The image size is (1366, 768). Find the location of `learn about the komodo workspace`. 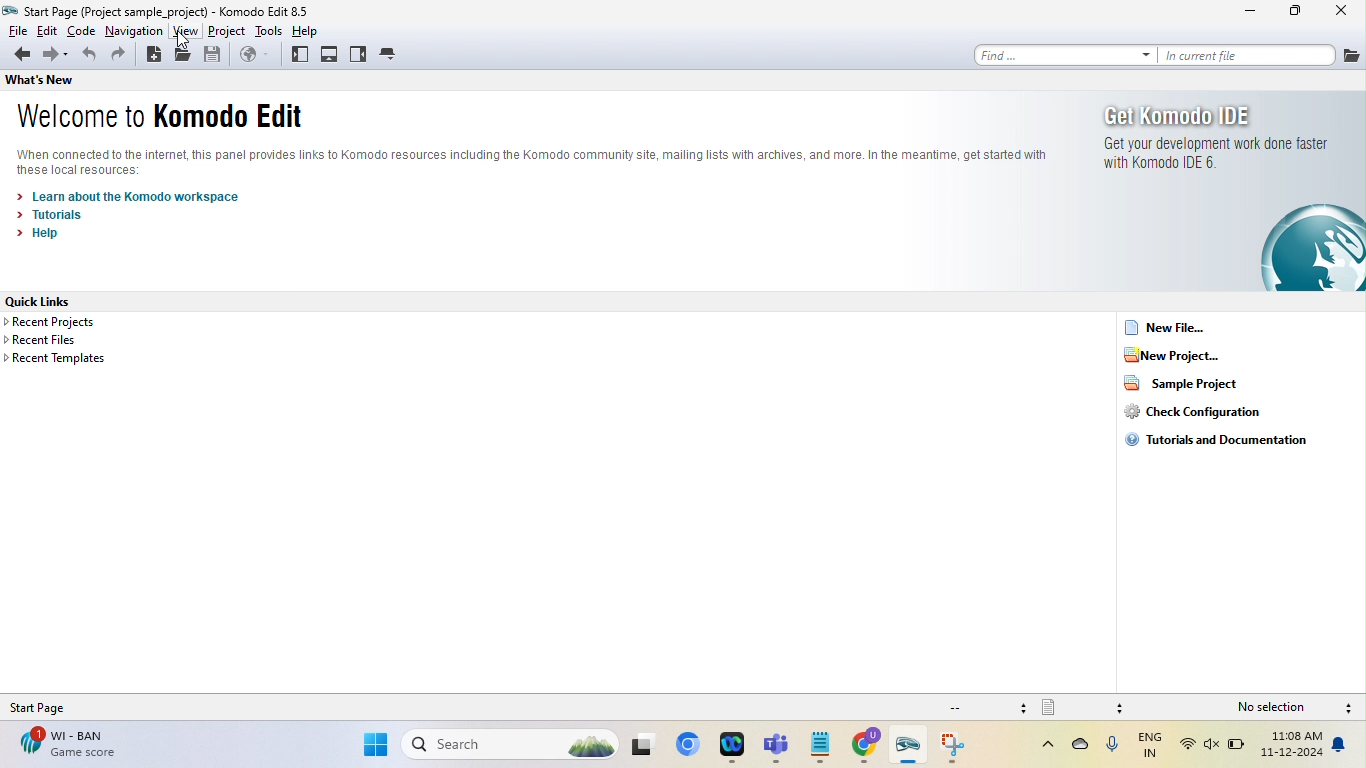

learn about the komodo workspace is located at coordinates (129, 195).